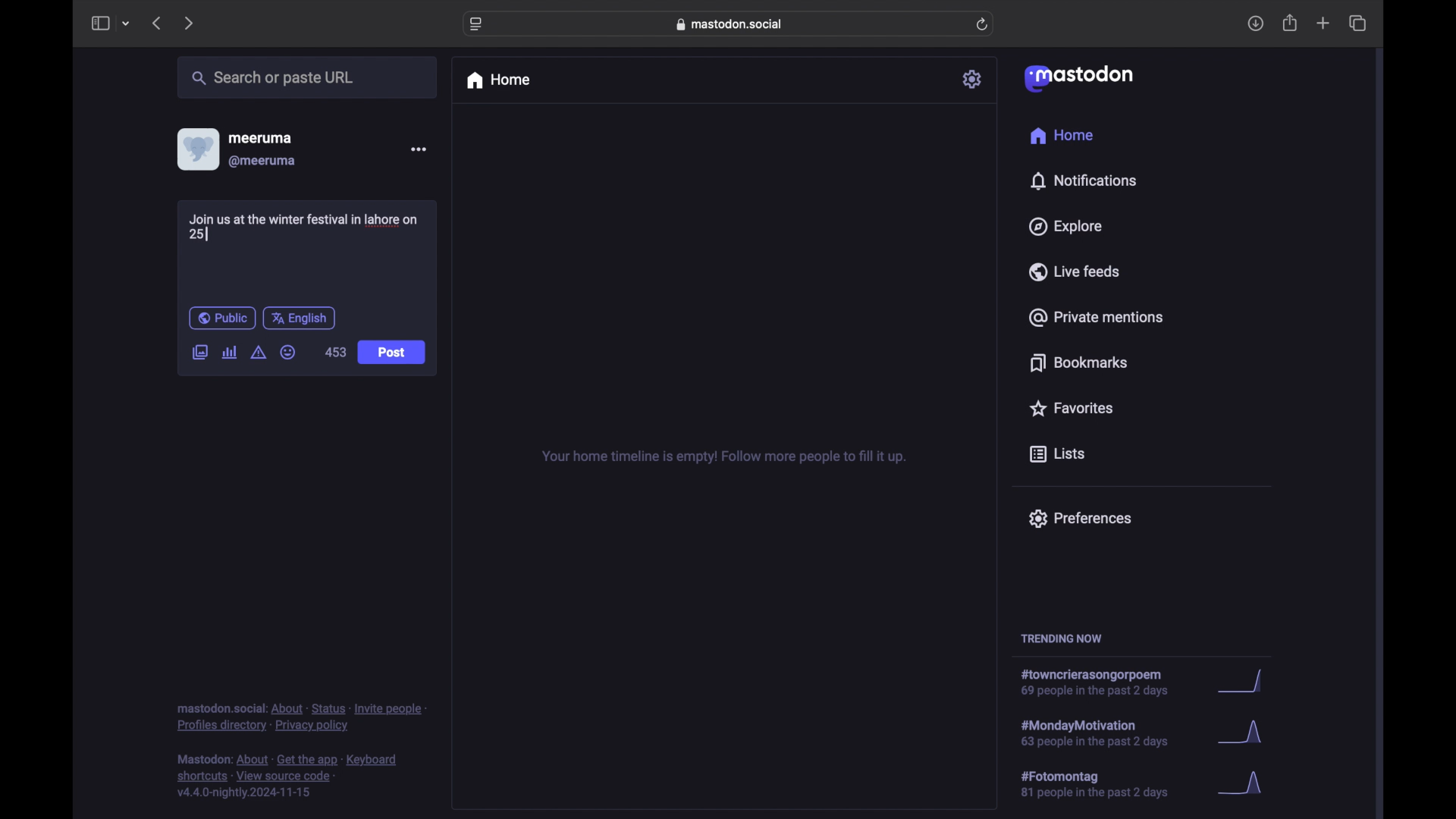 The image size is (1456, 819). Describe the element at coordinates (229, 352) in the screenshot. I see `add  poll` at that location.